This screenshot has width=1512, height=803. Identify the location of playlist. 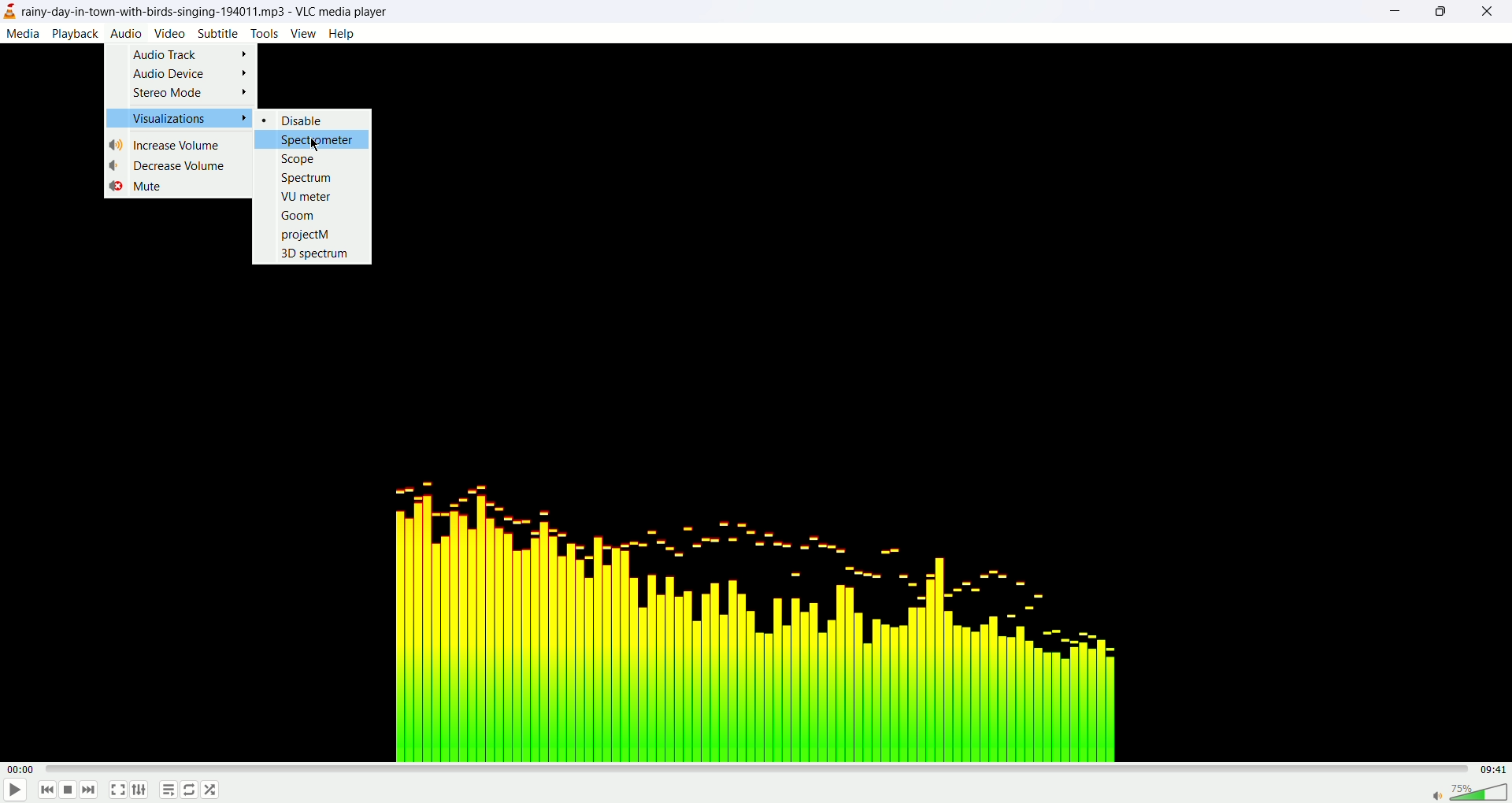
(168, 790).